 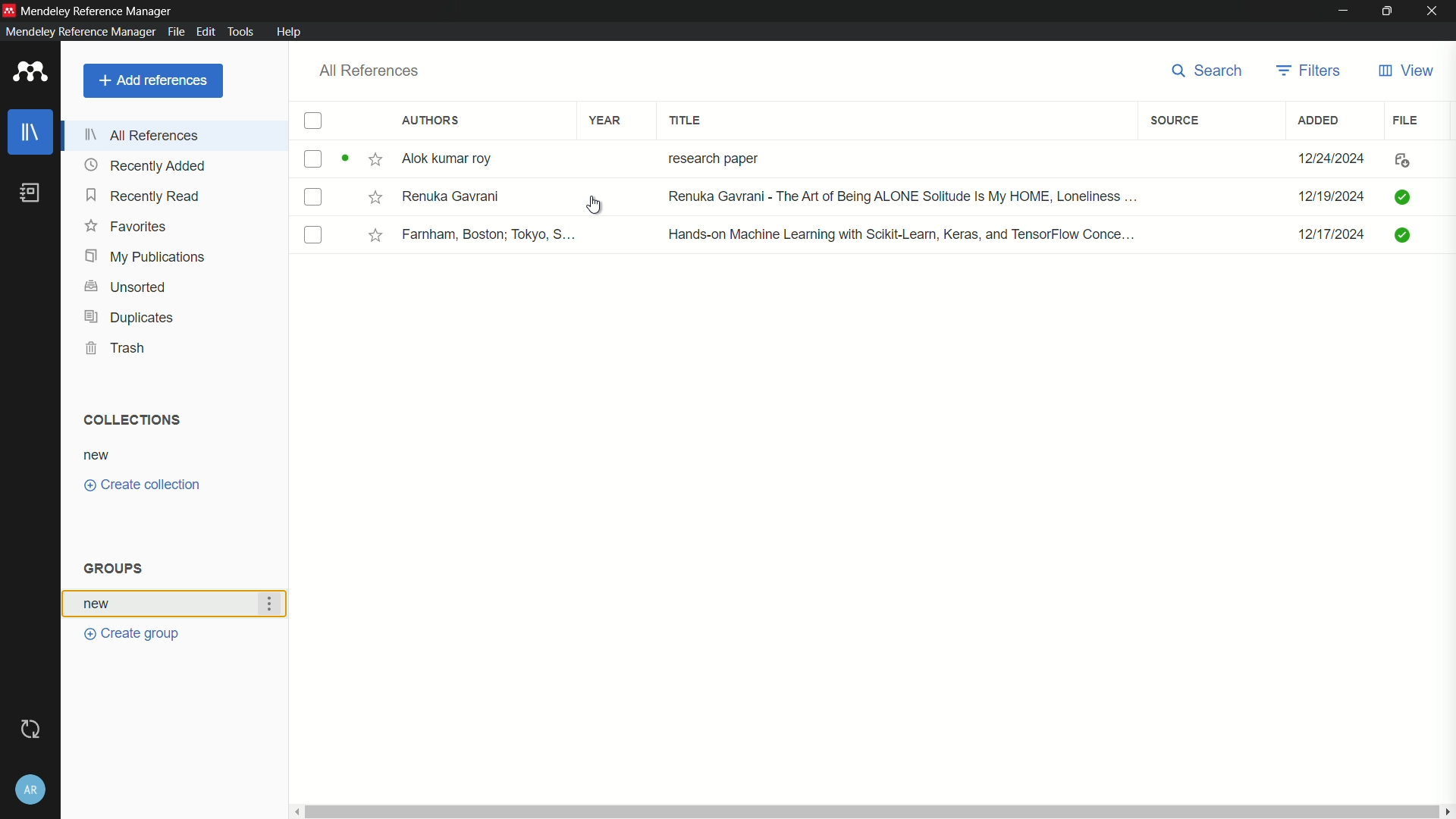 I want to click on add references, so click(x=153, y=80).